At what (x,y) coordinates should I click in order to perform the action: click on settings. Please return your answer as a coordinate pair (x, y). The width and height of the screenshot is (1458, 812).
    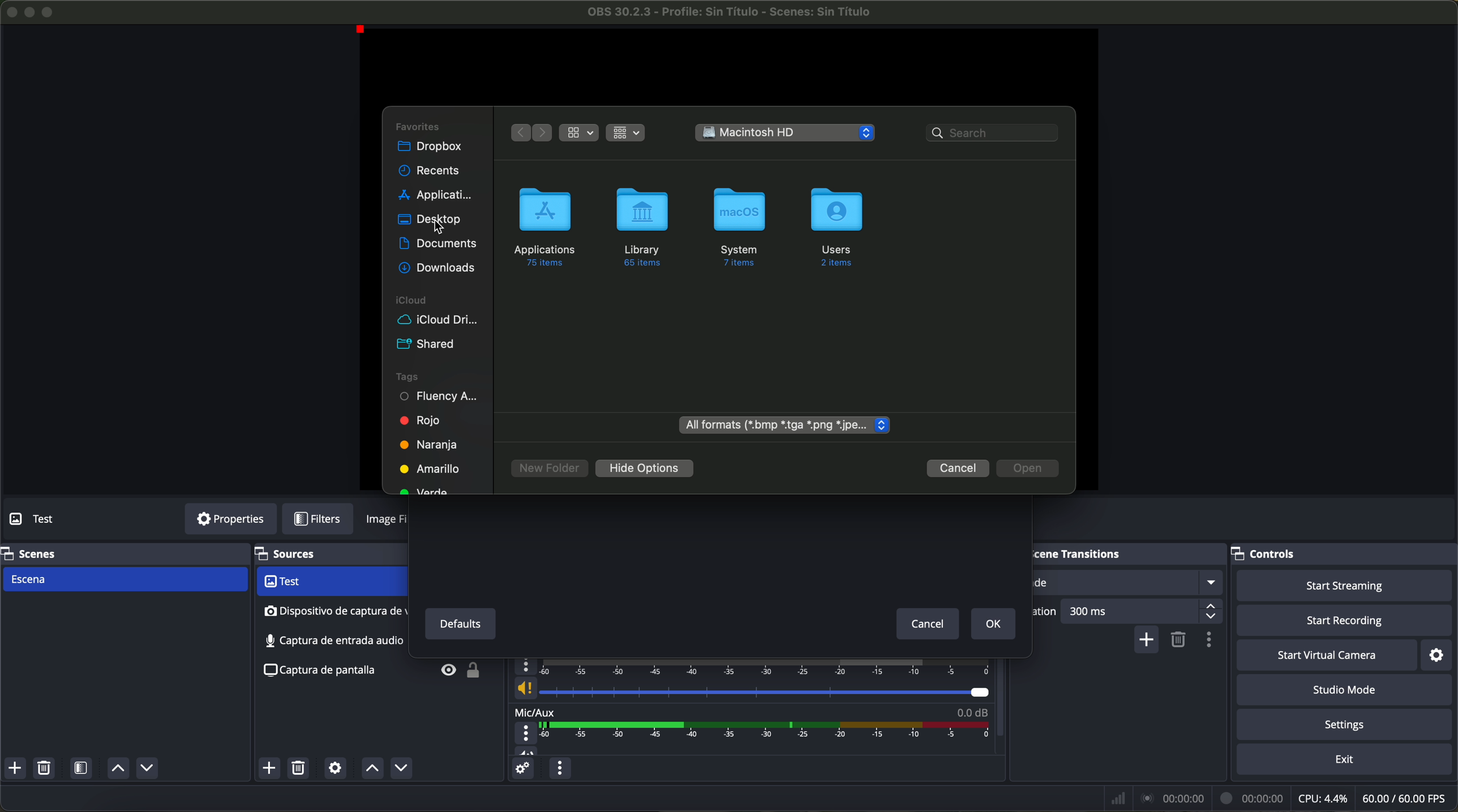
    Looking at the image, I should click on (1442, 654).